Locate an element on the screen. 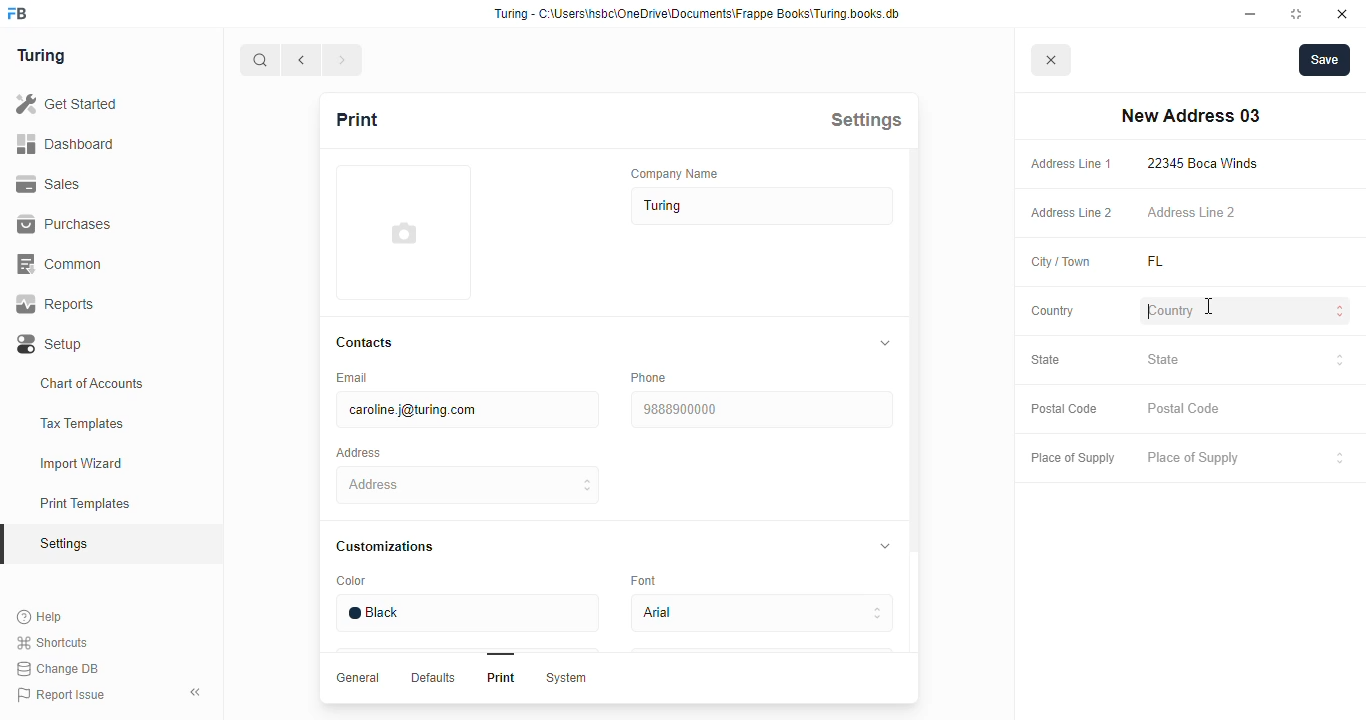  report issue is located at coordinates (61, 695).